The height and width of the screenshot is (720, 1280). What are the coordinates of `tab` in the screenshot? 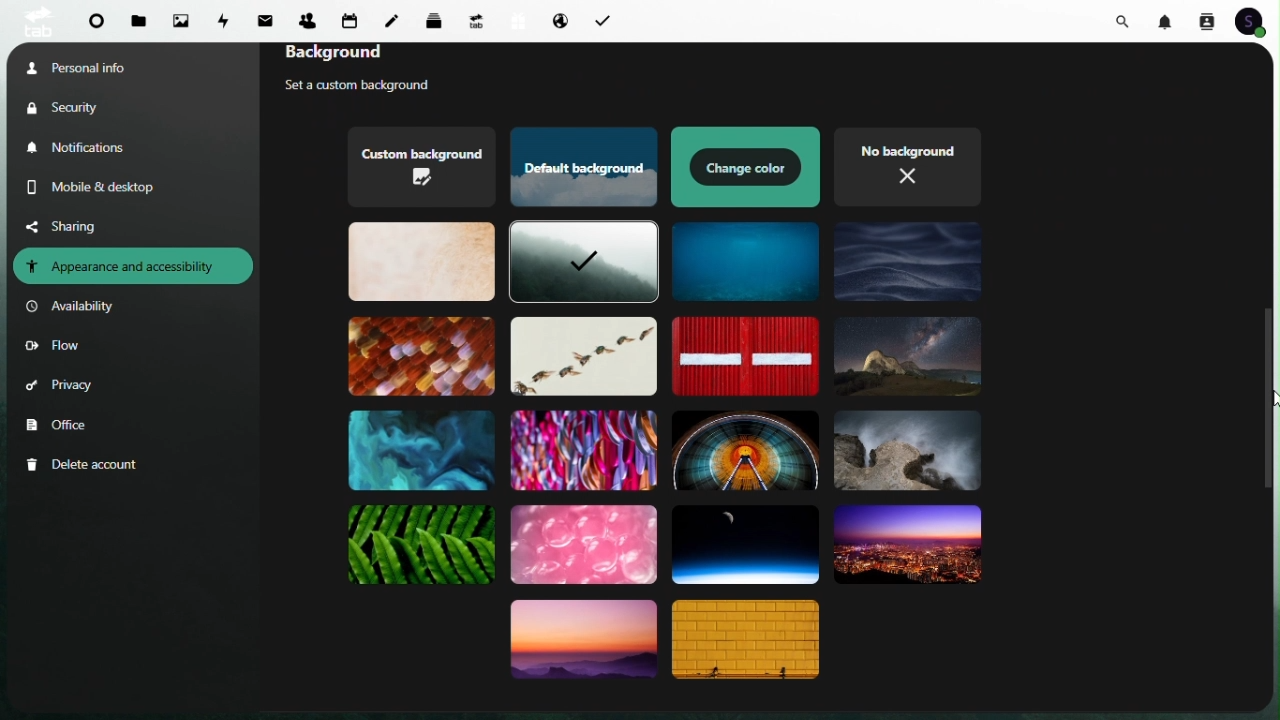 It's located at (35, 21).